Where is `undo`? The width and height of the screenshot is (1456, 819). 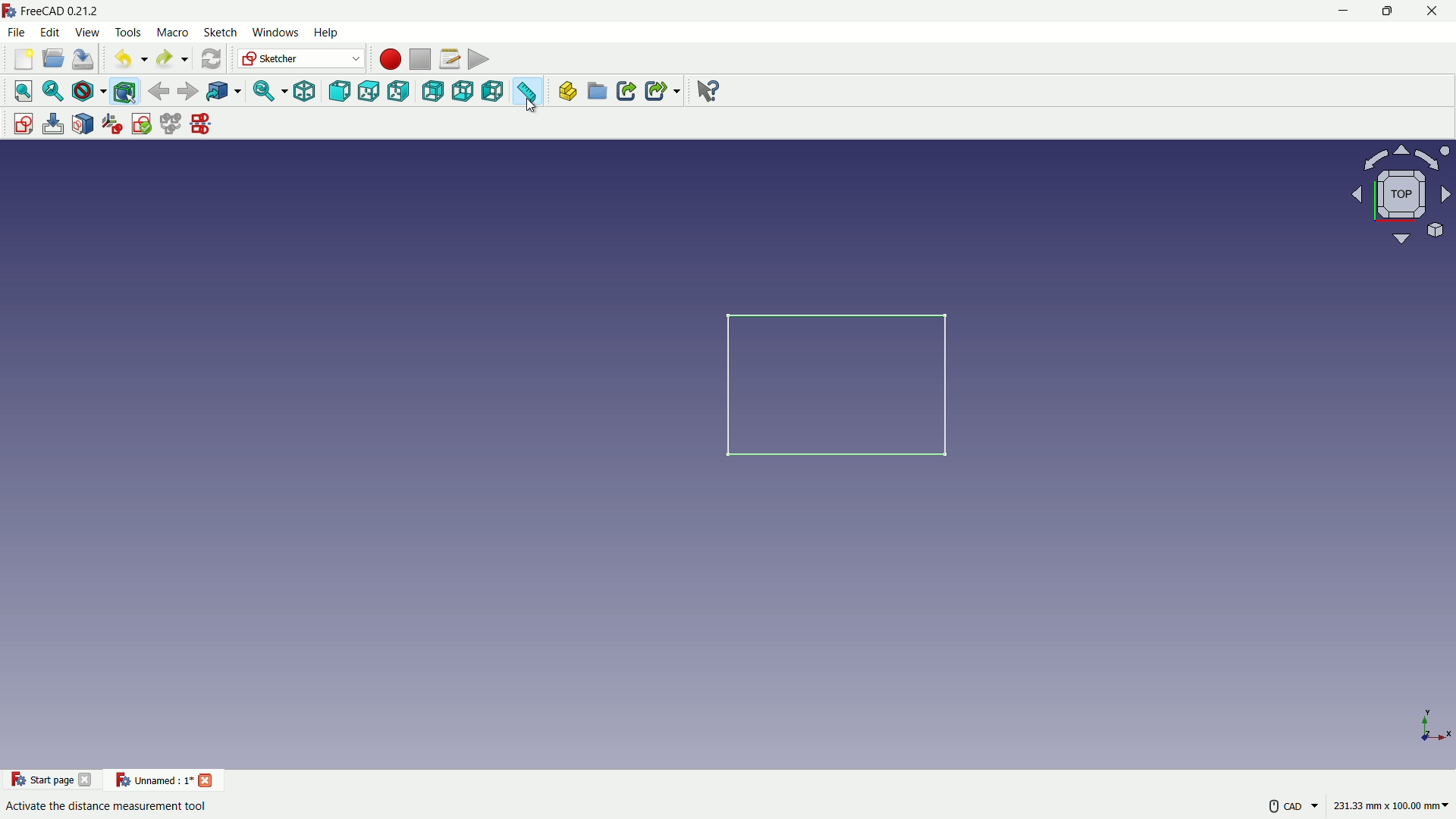
undo is located at coordinates (126, 60).